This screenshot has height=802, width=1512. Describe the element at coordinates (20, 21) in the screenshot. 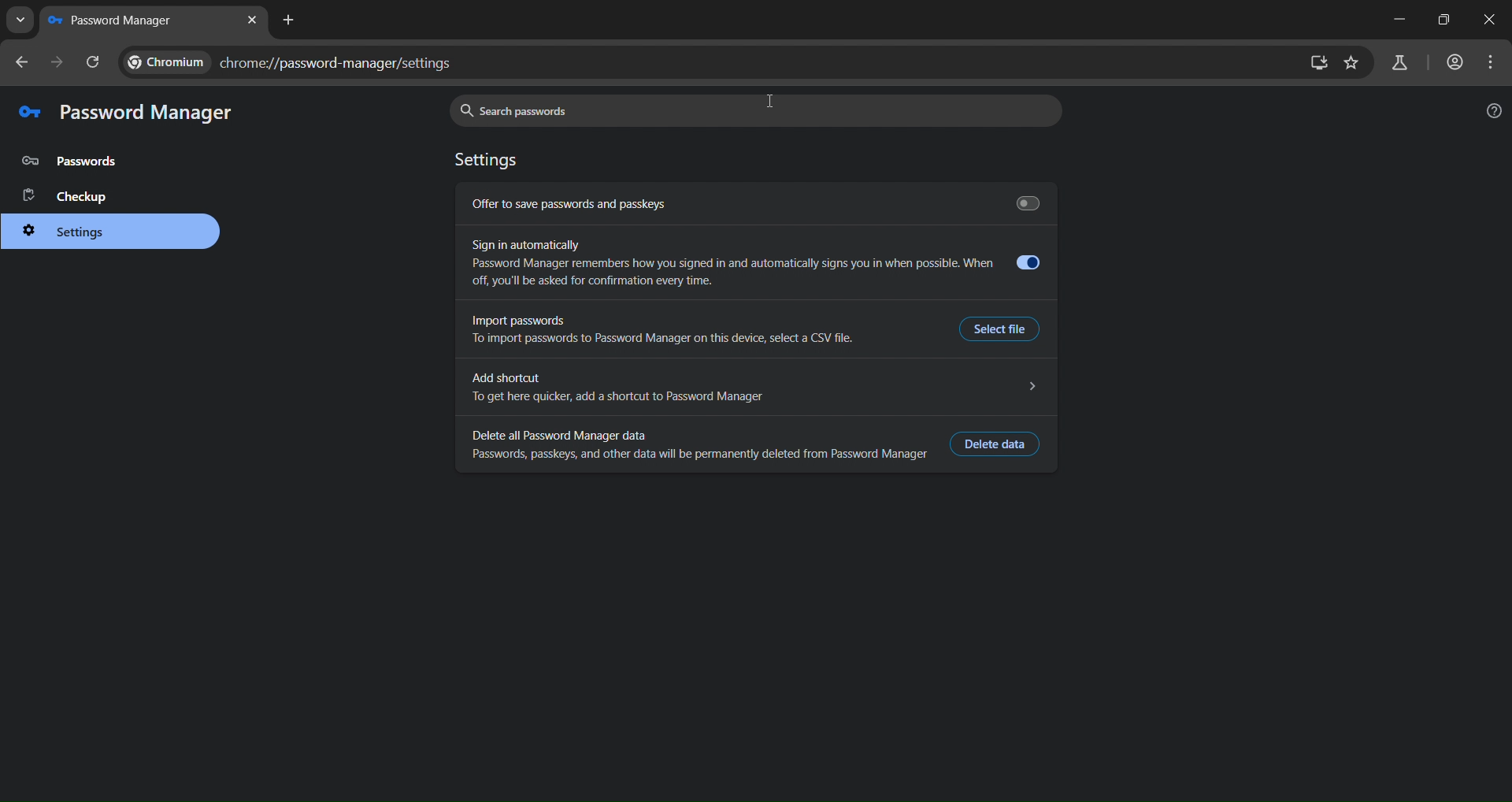

I see `search tabs` at that location.